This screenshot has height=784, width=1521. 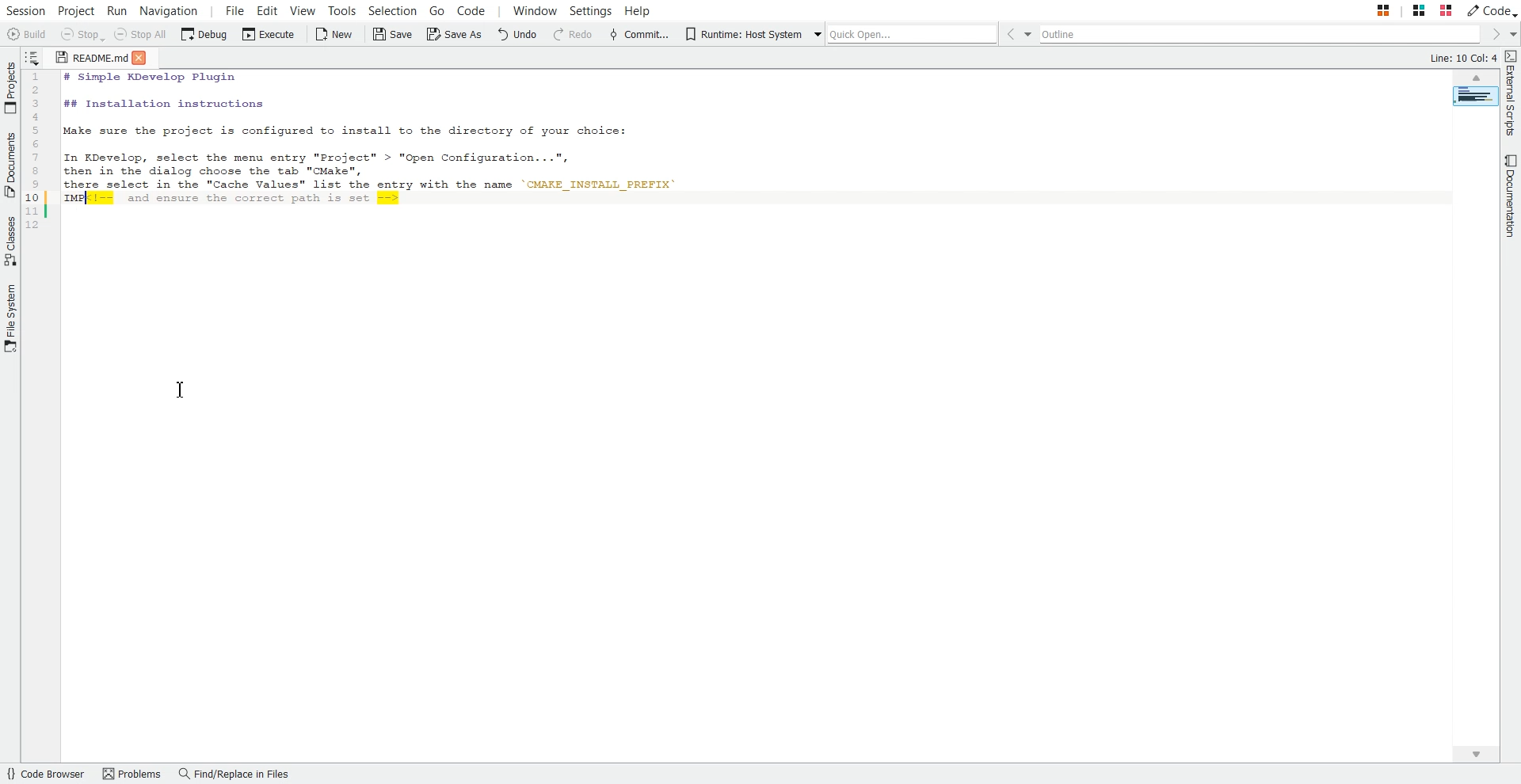 What do you see at coordinates (32, 57) in the screenshot?
I see `Show sorted list` at bounding box center [32, 57].